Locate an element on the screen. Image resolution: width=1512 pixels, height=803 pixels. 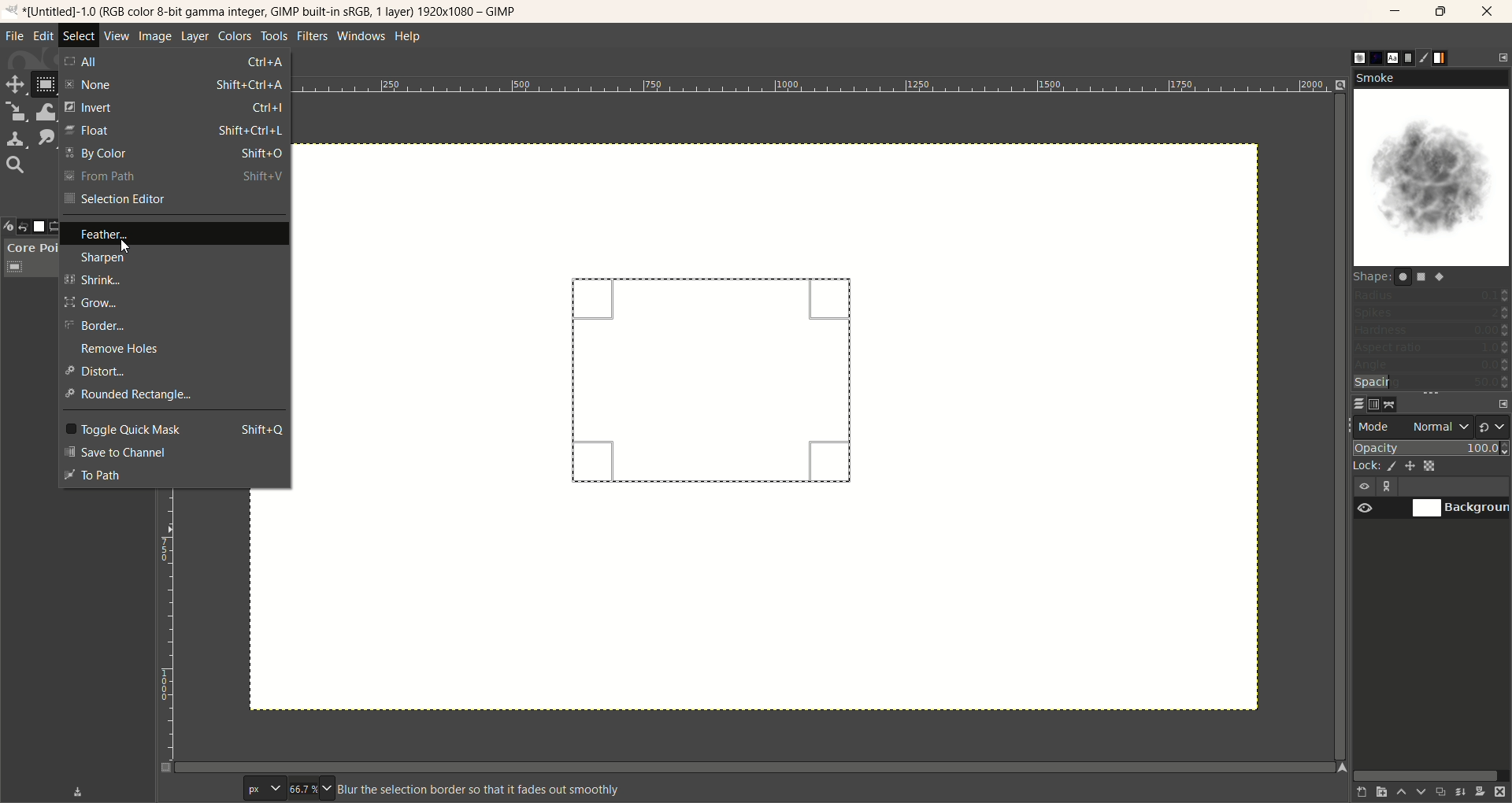
rectangle select tool is located at coordinates (46, 83).